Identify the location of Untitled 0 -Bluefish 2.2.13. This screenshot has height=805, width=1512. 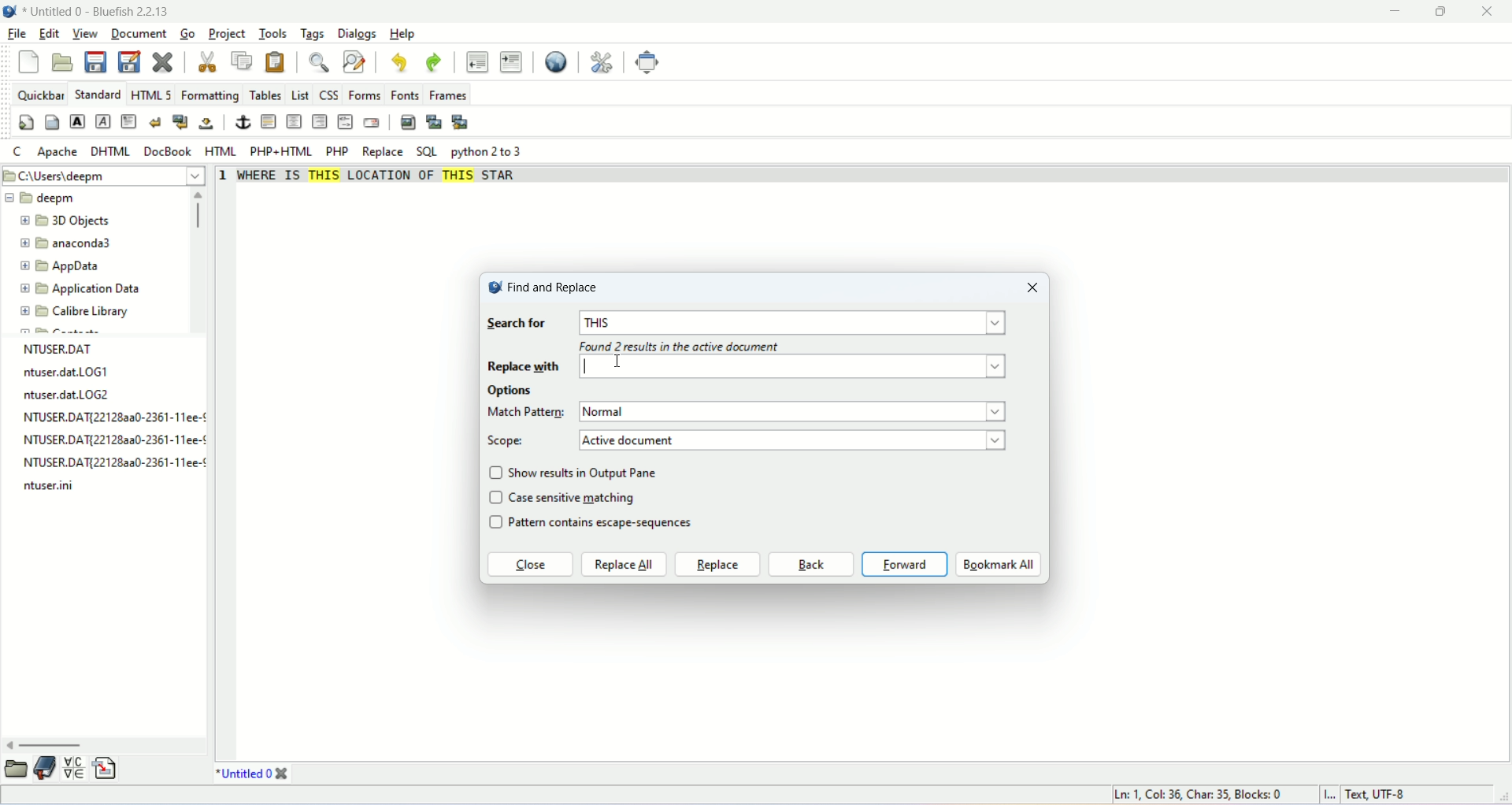
(98, 10).